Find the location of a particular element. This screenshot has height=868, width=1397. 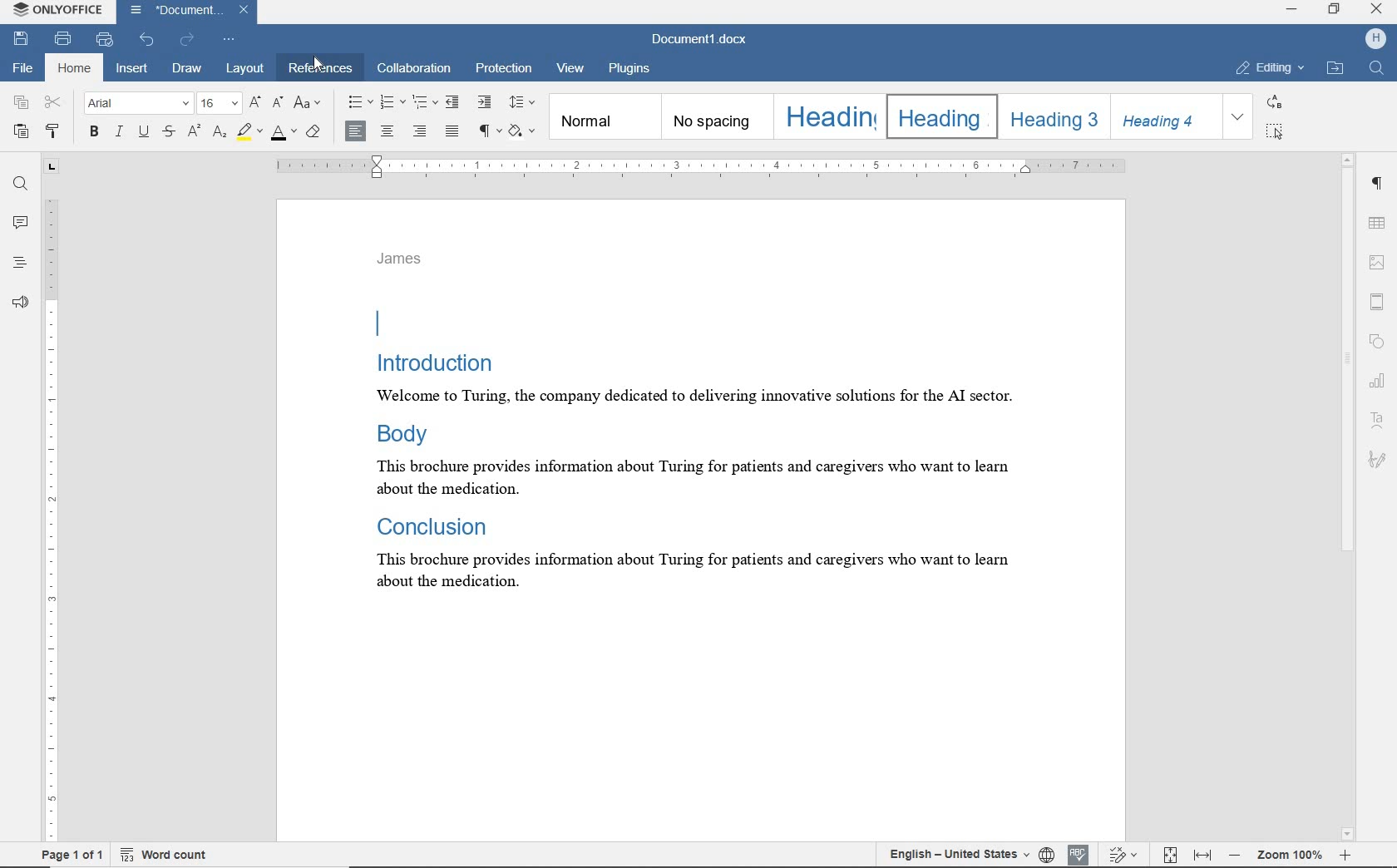

image is located at coordinates (1378, 261).